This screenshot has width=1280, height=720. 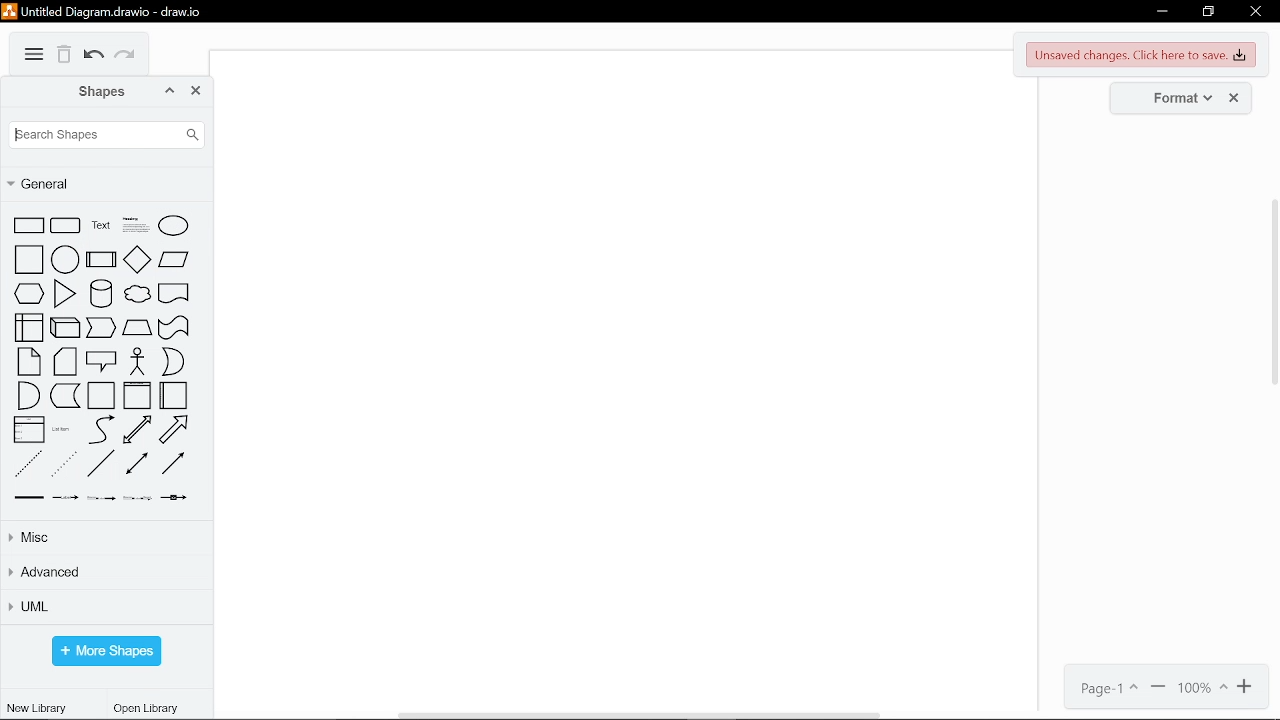 What do you see at coordinates (27, 260) in the screenshot?
I see `square` at bounding box center [27, 260].